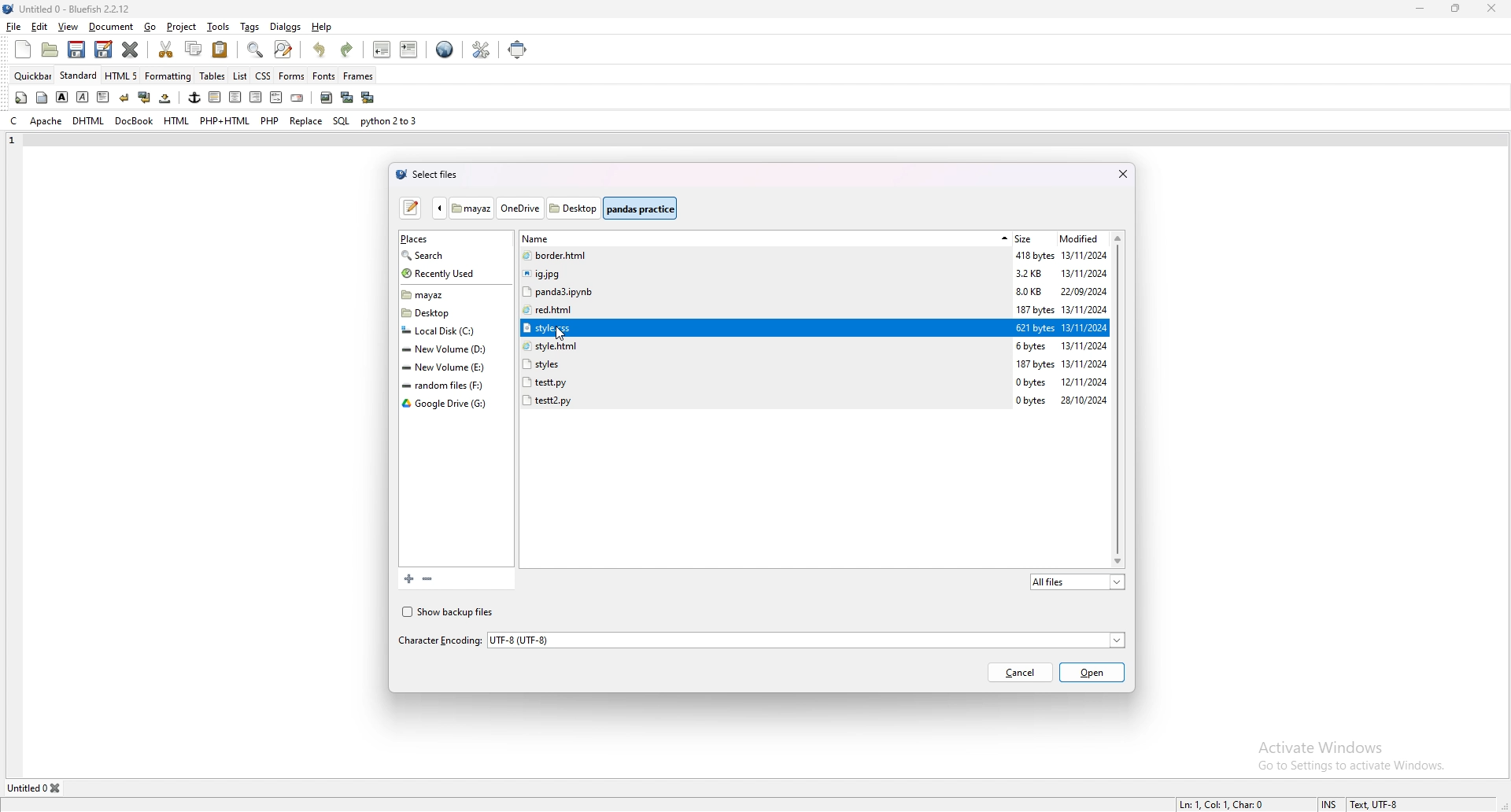  I want to click on folder, so click(453, 330).